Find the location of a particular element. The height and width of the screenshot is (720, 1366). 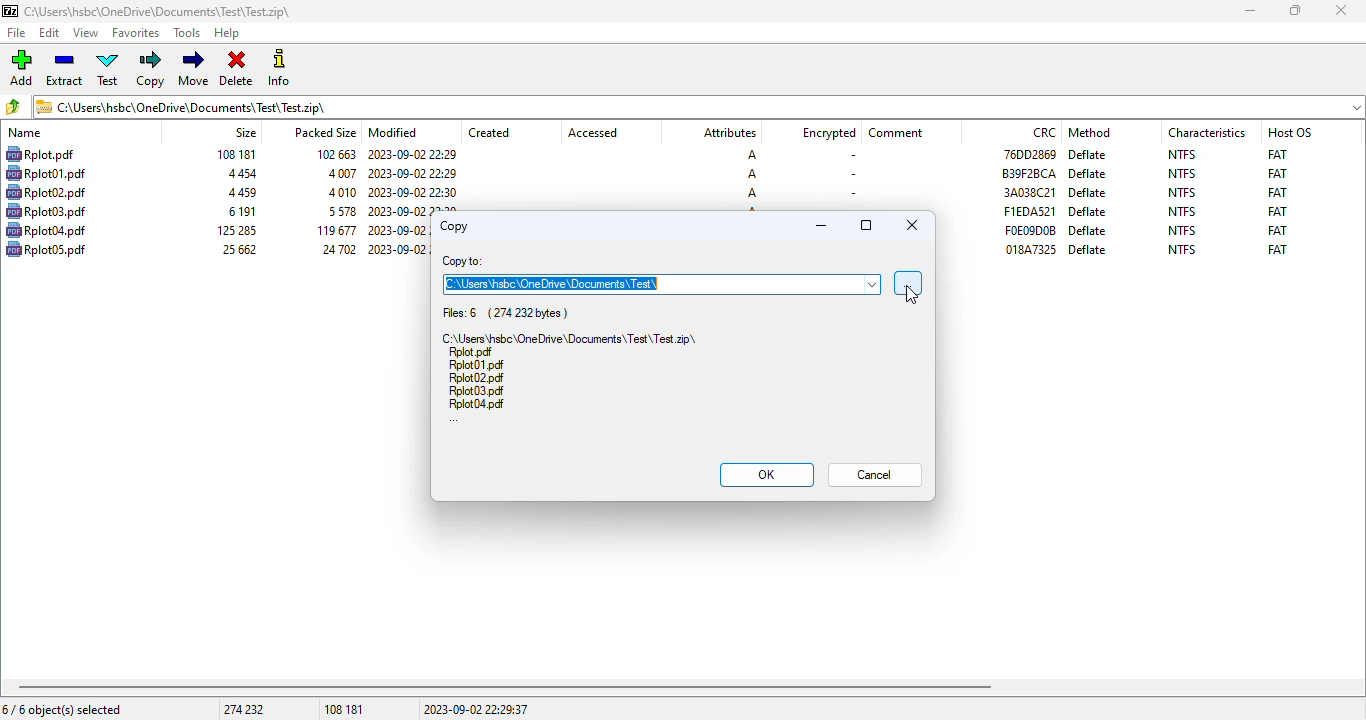

attributes is located at coordinates (728, 133).